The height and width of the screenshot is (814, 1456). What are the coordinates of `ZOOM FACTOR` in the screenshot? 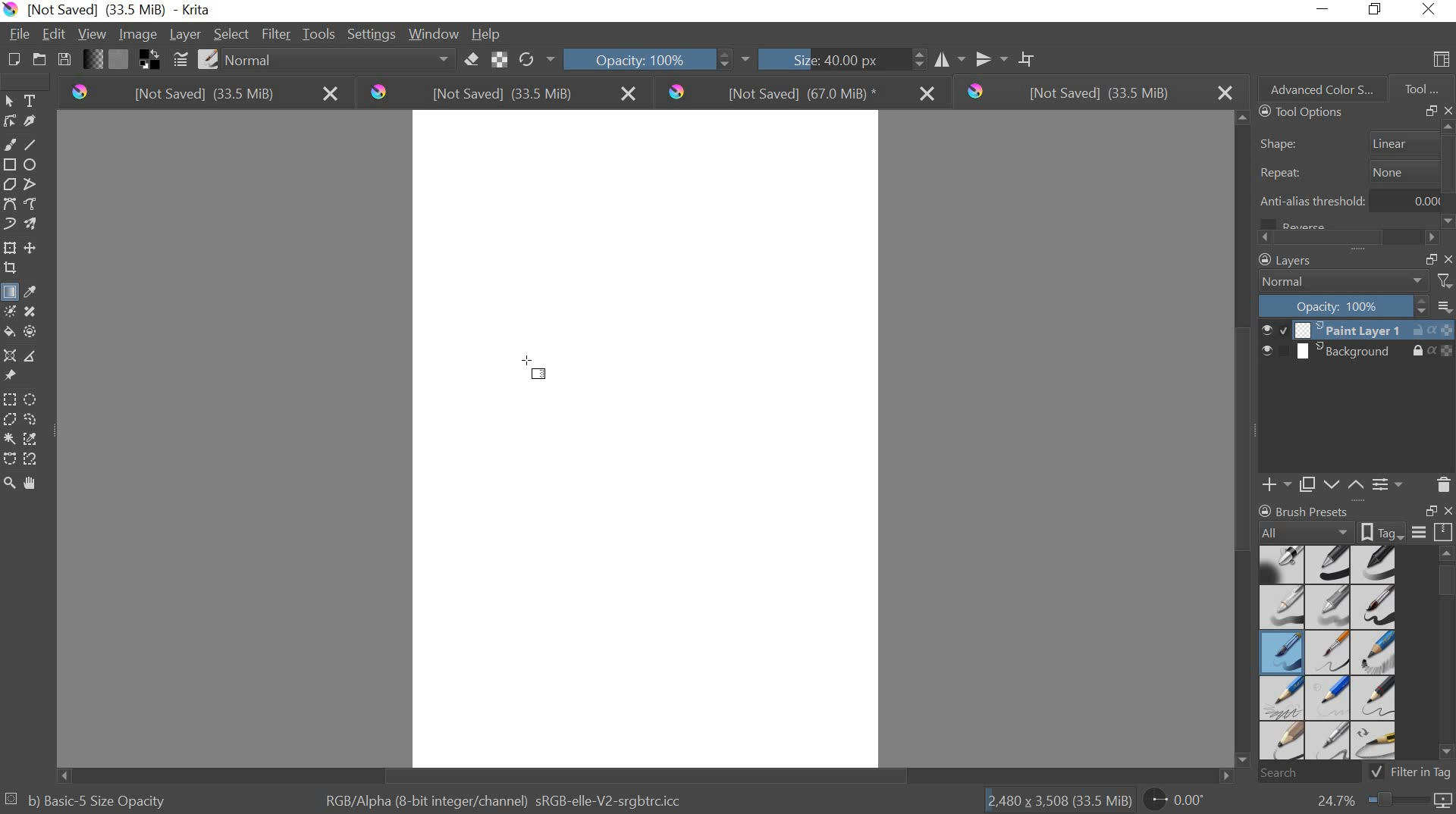 It's located at (1379, 803).